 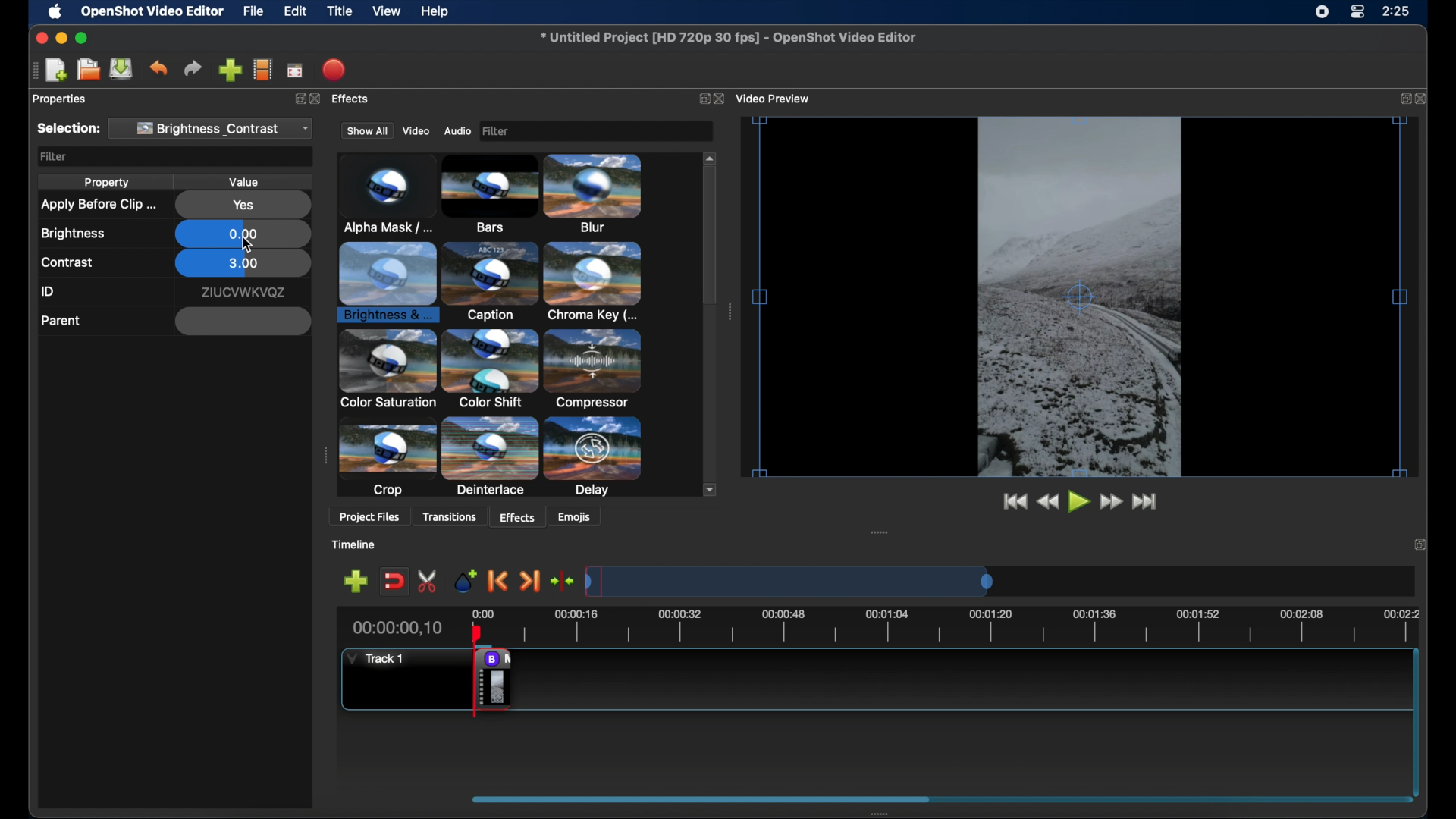 What do you see at coordinates (460, 579) in the screenshot?
I see `add marker` at bounding box center [460, 579].